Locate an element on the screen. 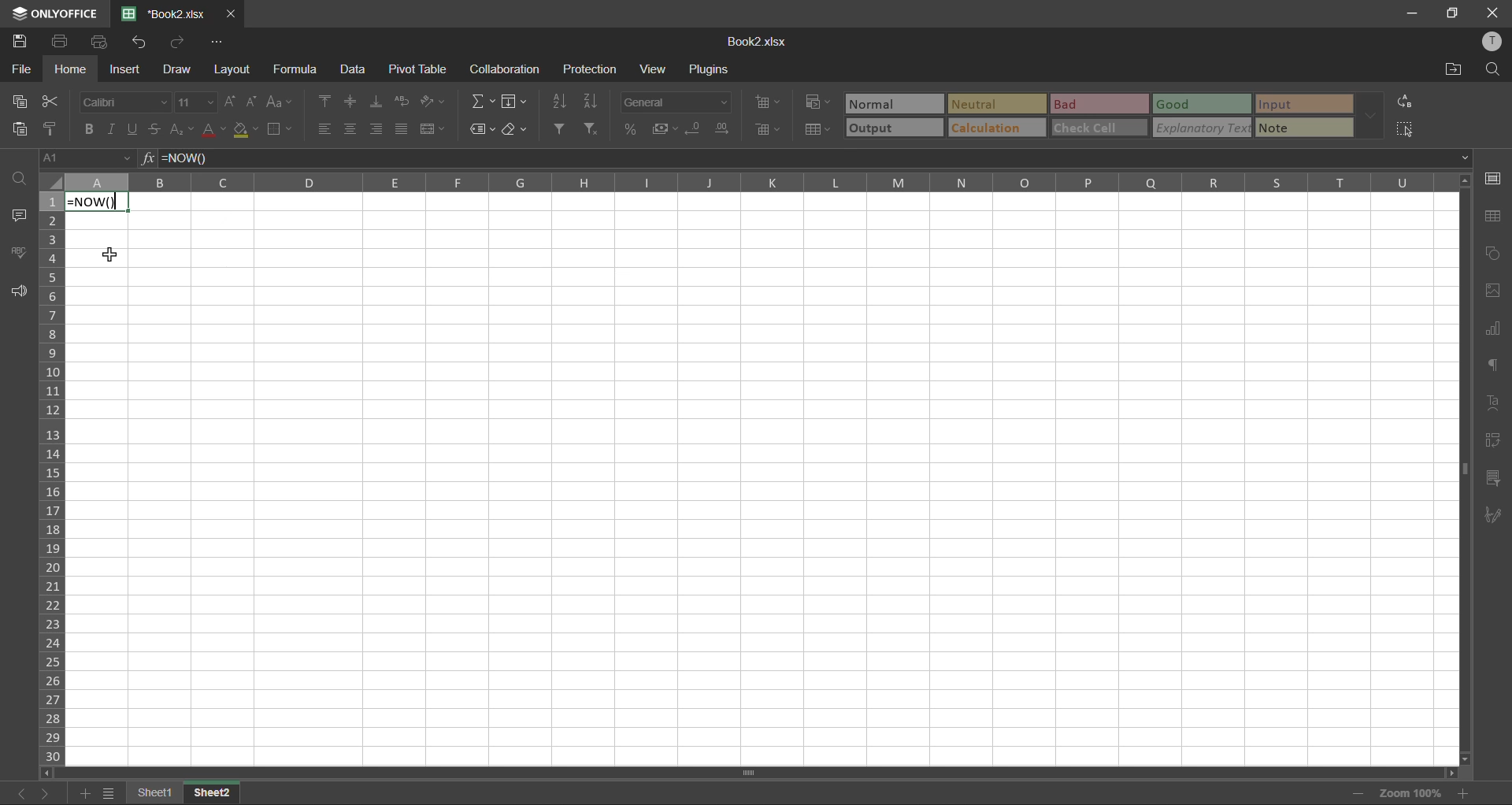  close tab is located at coordinates (229, 16).